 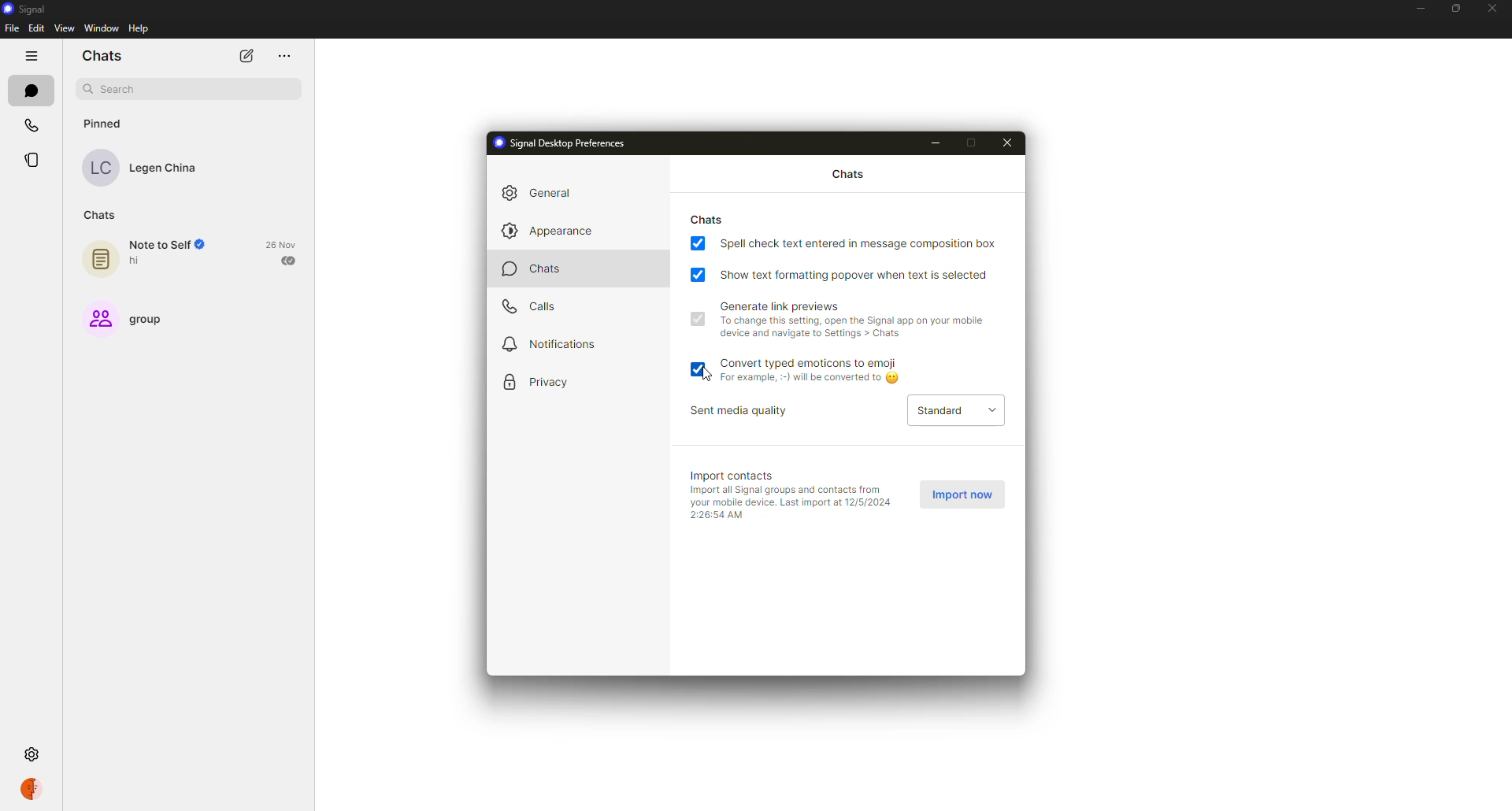 What do you see at coordinates (955, 411) in the screenshot?
I see `standard` at bounding box center [955, 411].